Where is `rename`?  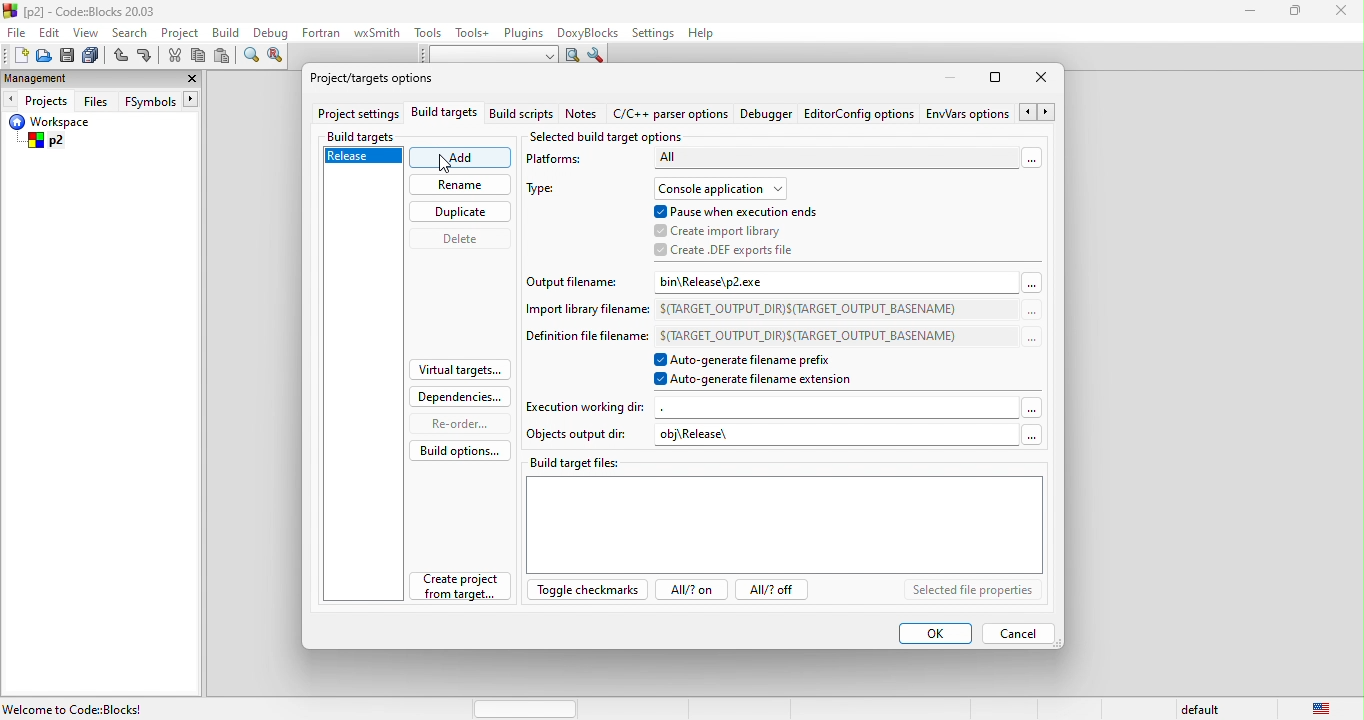
rename is located at coordinates (460, 187).